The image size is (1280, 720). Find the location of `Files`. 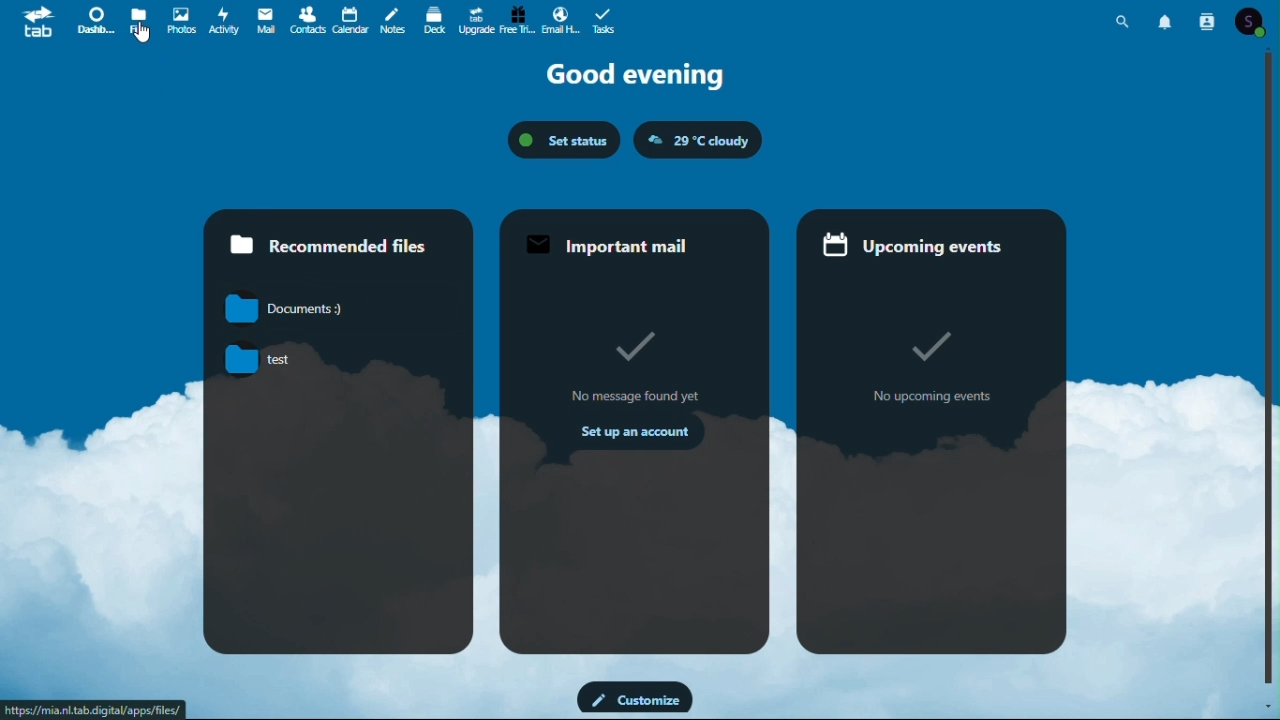

Files is located at coordinates (139, 21).